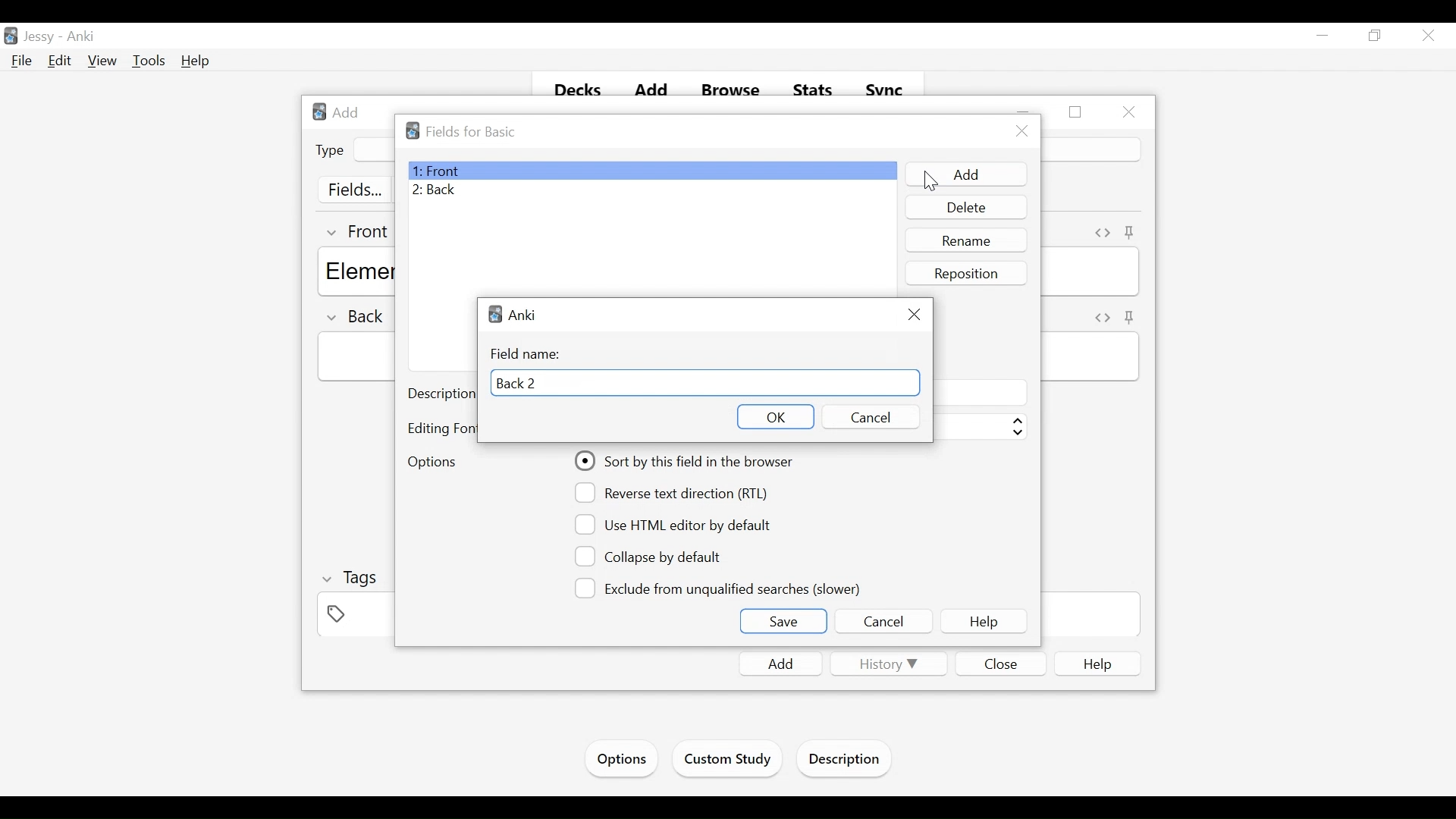  What do you see at coordinates (620, 759) in the screenshot?
I see `Options` at bounding box center [620, 759].